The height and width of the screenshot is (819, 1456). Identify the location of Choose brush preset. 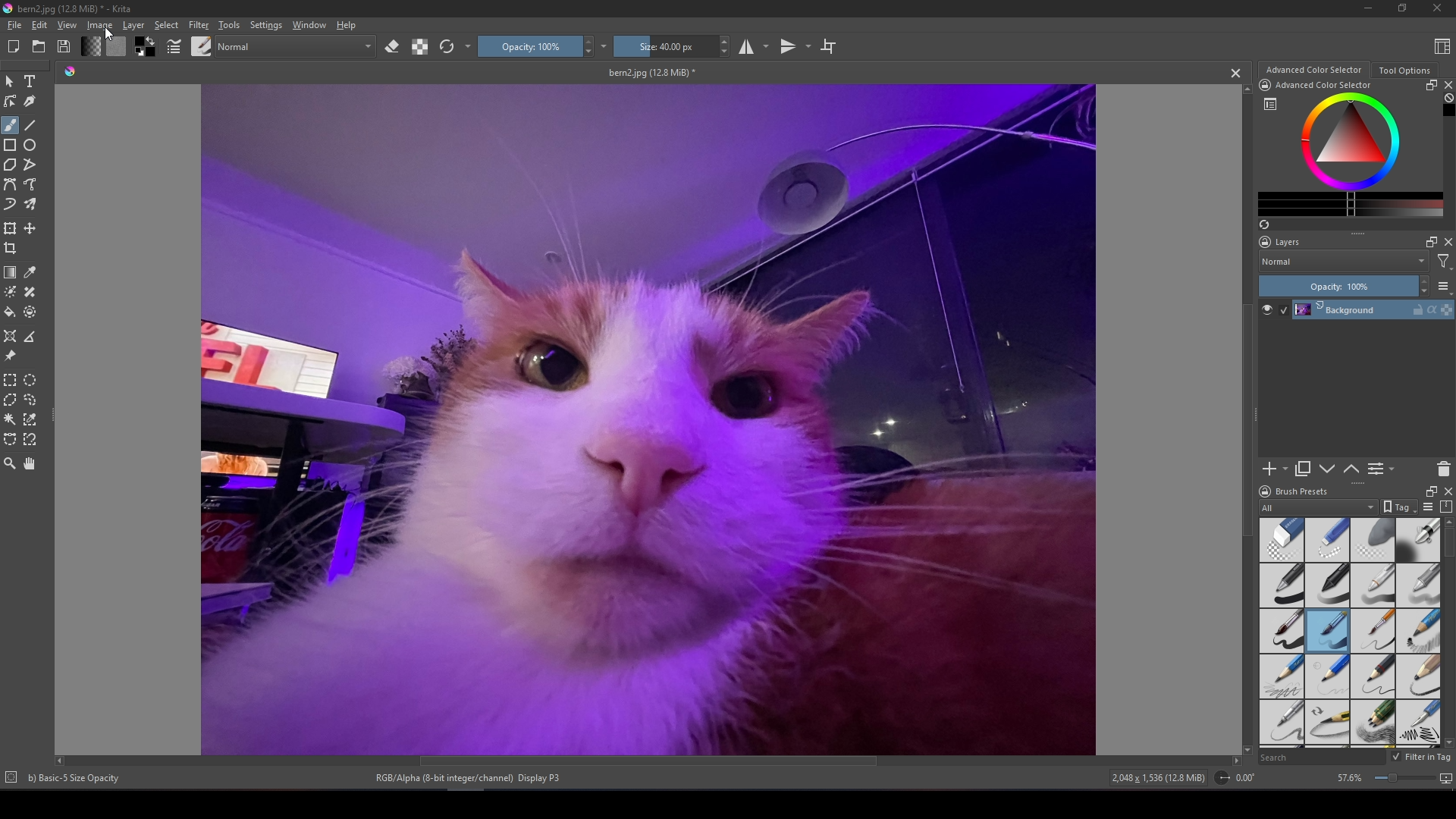
(202, 45).